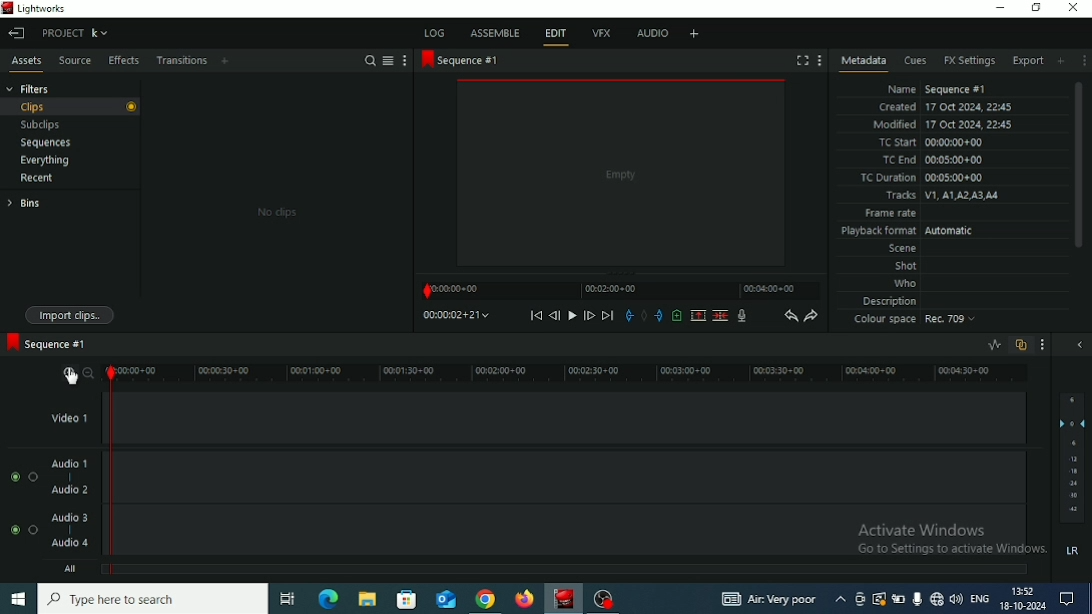 The image size is (1092, 614). I want to click on Transitions, so click(181, 61).